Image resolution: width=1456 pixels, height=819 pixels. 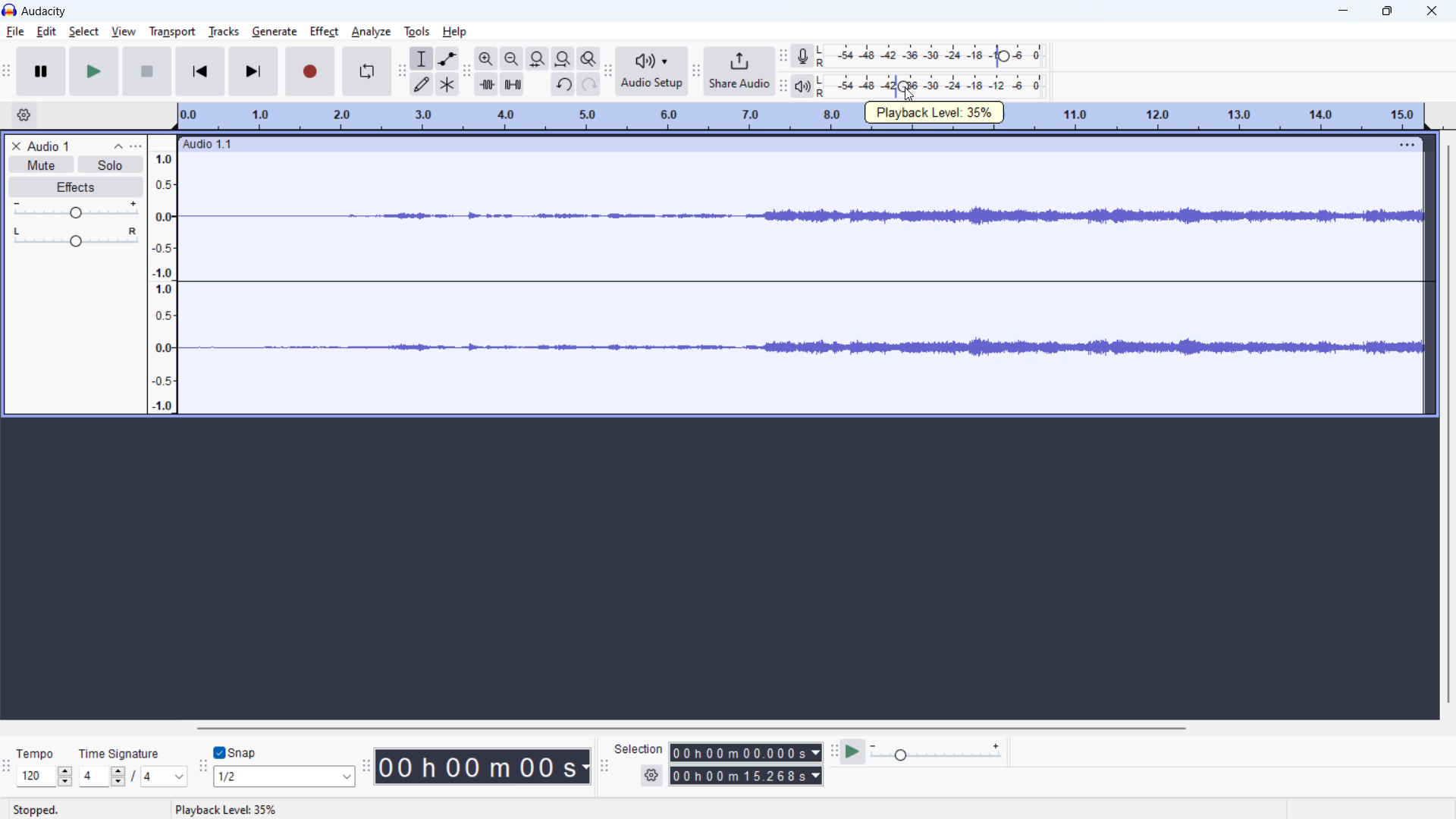 I want to click on play, so click(x=94, y=71).